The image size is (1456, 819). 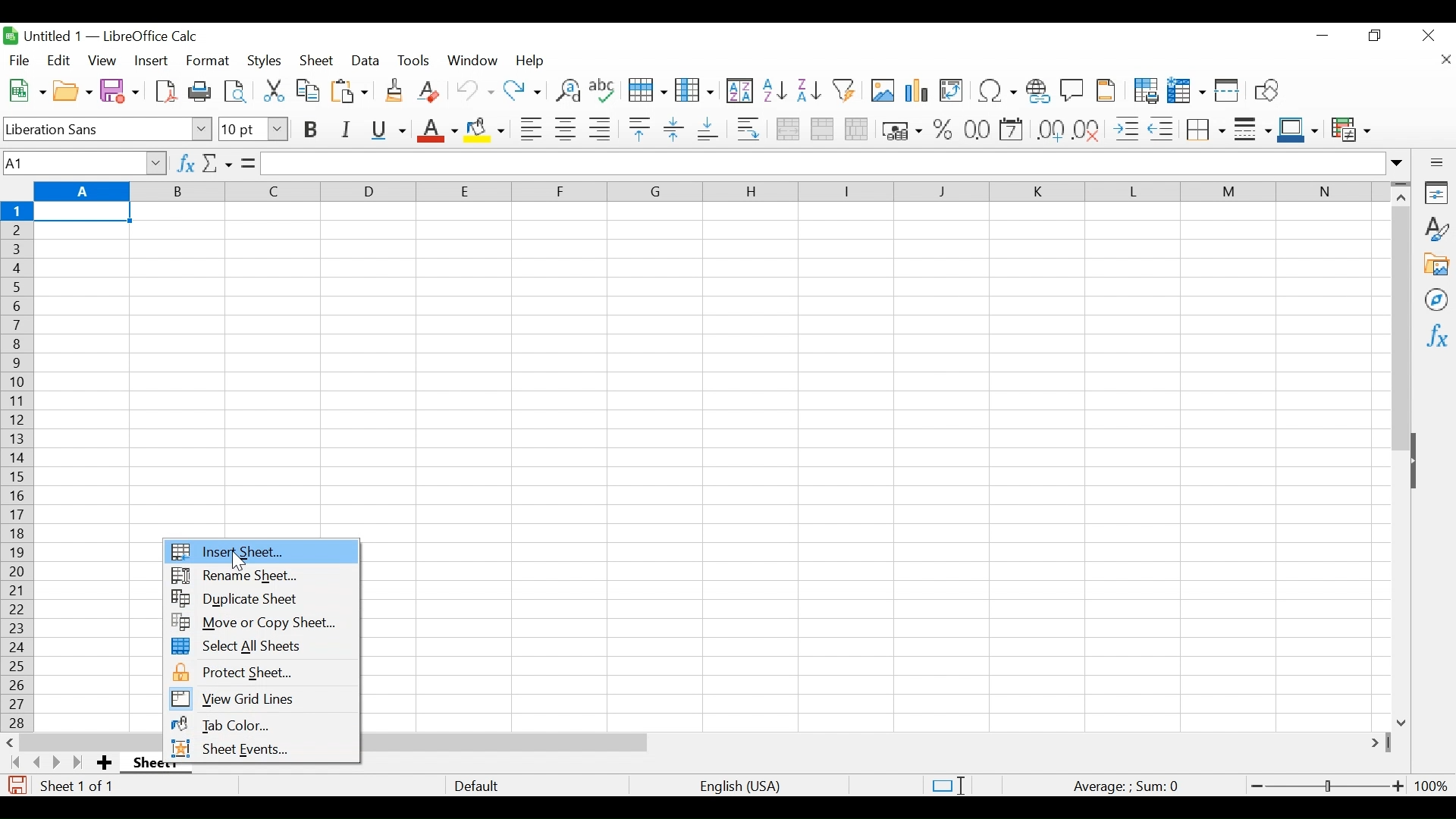 What do you see at coordinates (253, 130) in the screenshot?
I see `Font Size` at bounding box center [253, 130].